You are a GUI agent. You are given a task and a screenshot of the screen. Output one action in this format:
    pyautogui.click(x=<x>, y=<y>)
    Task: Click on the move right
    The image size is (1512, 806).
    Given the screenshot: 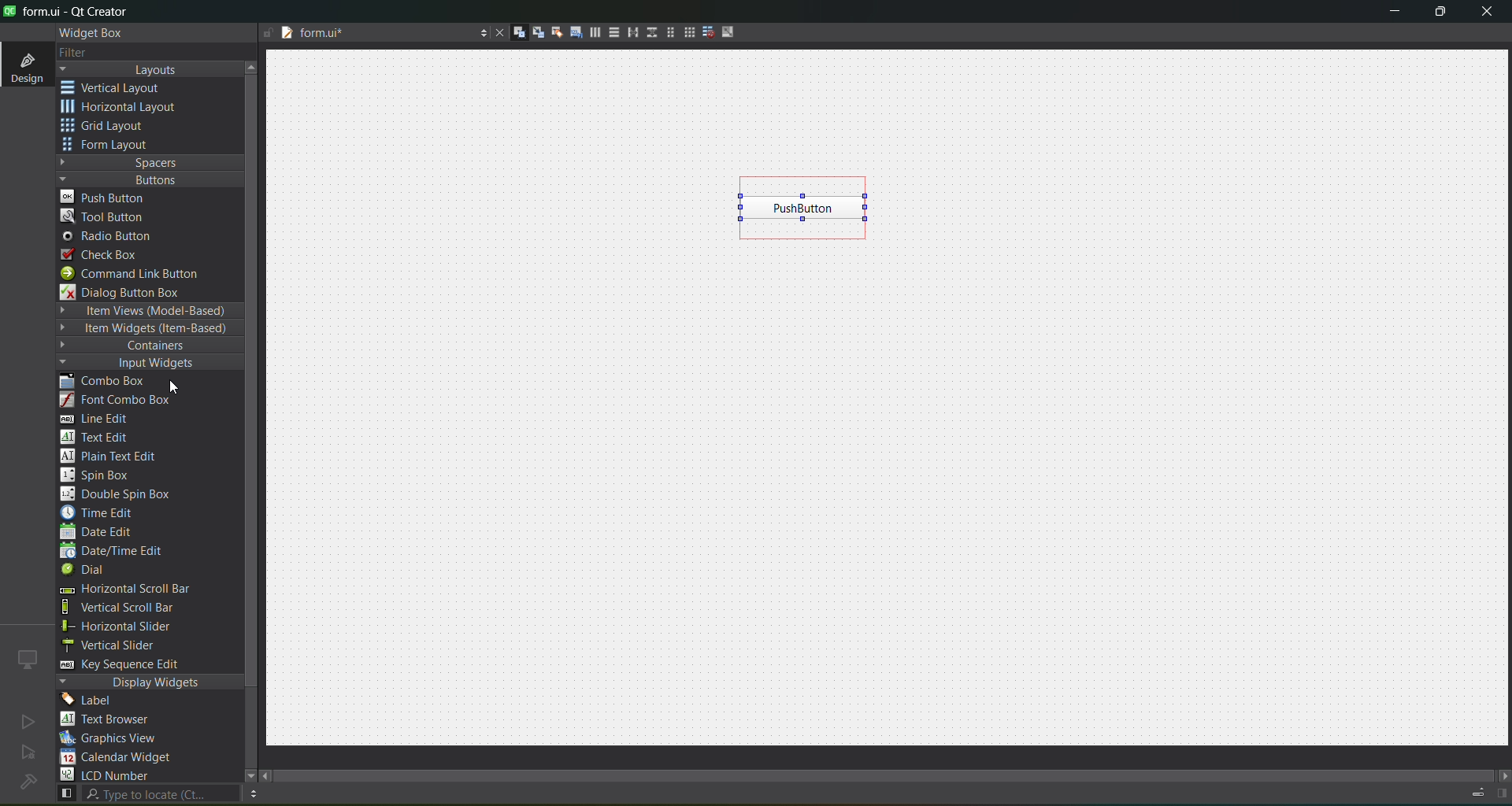 What is the action you would take?
    pyautogui.click(x=1503, y=777)
    